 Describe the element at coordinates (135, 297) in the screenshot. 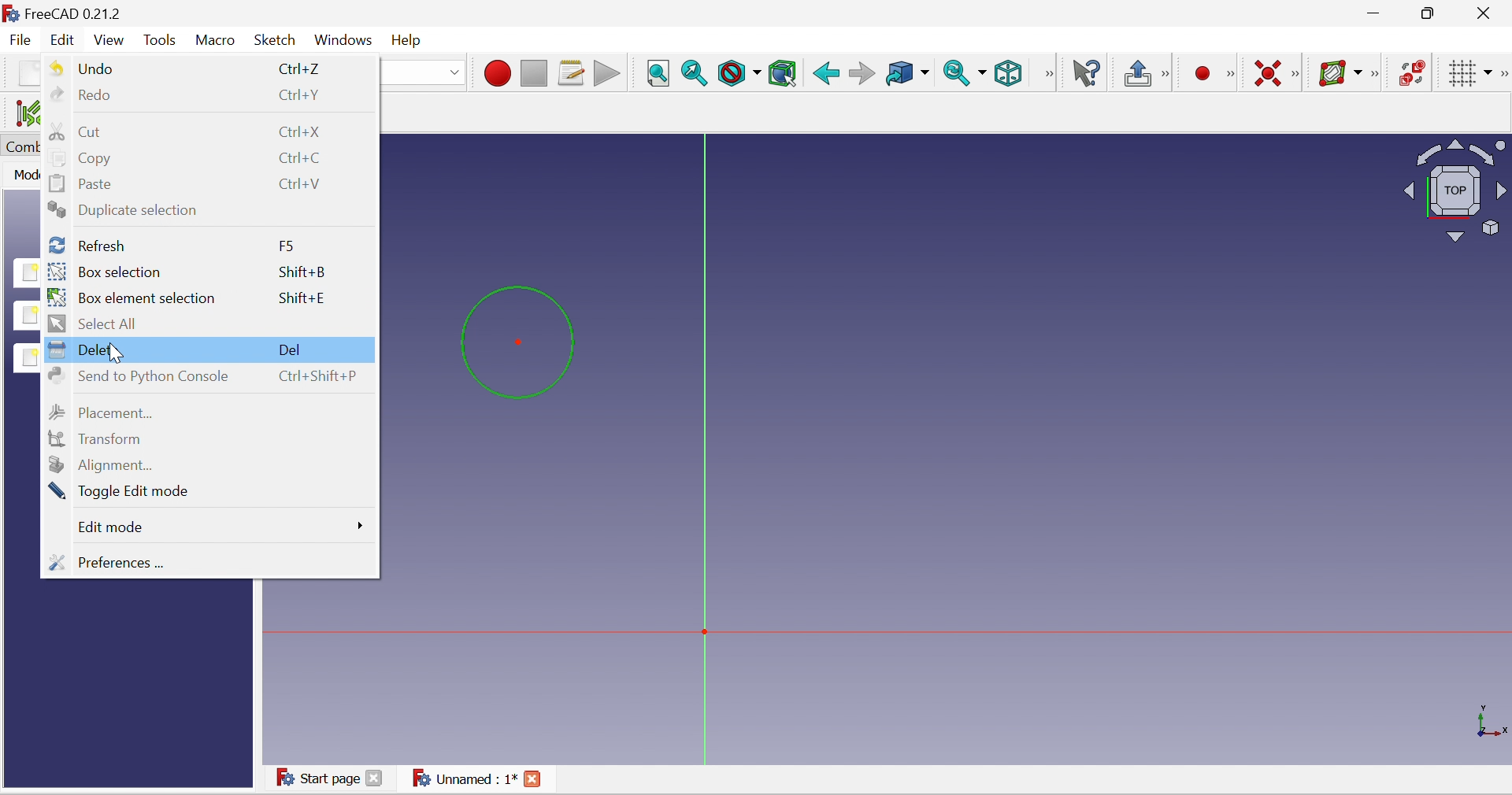

I see `Box element selection` at that location.